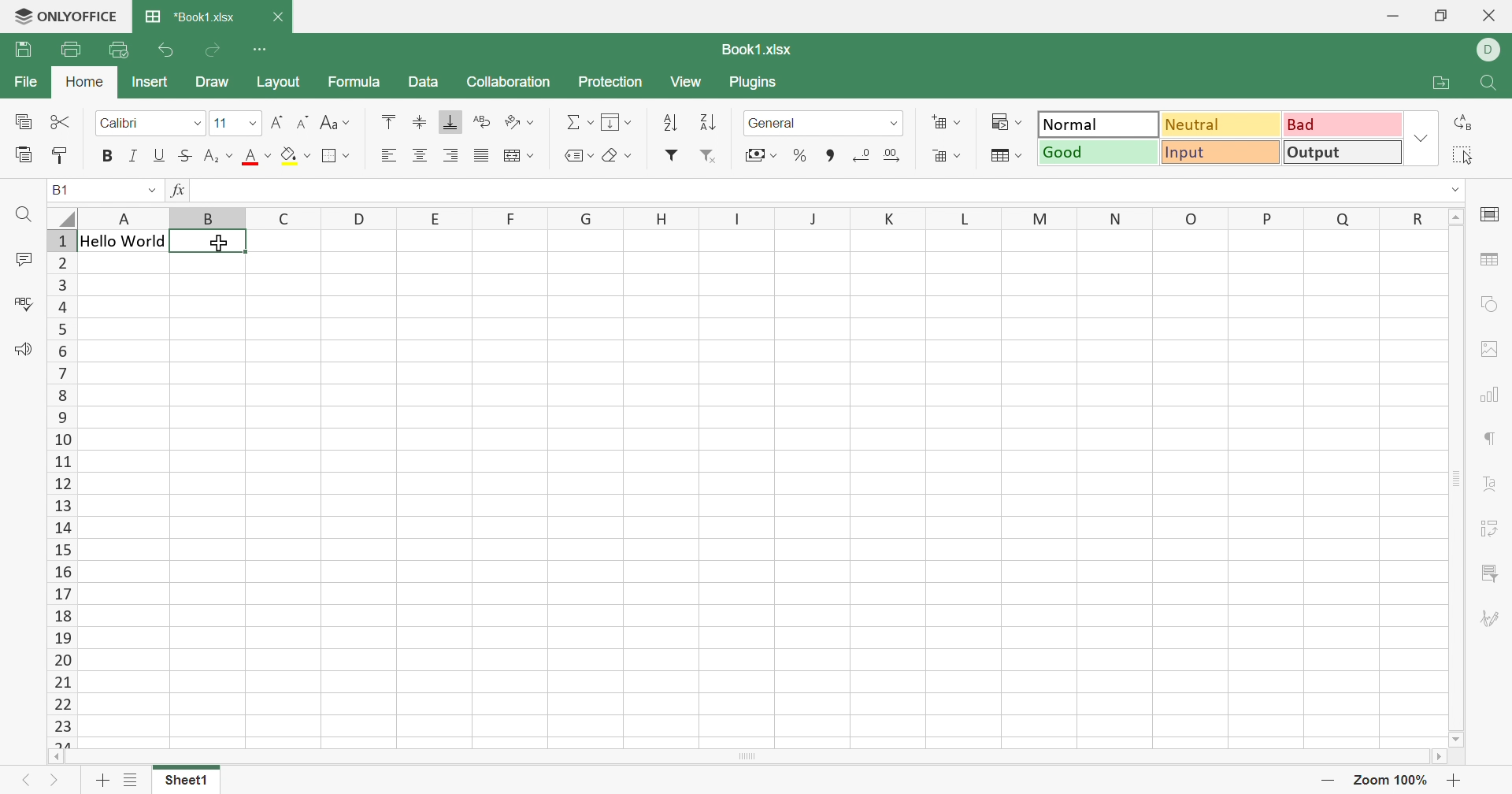  What do you see at coordinates (192, 17) in the screenshot?
I see `*Book1.xlsx` at bounding box center [192, 17].